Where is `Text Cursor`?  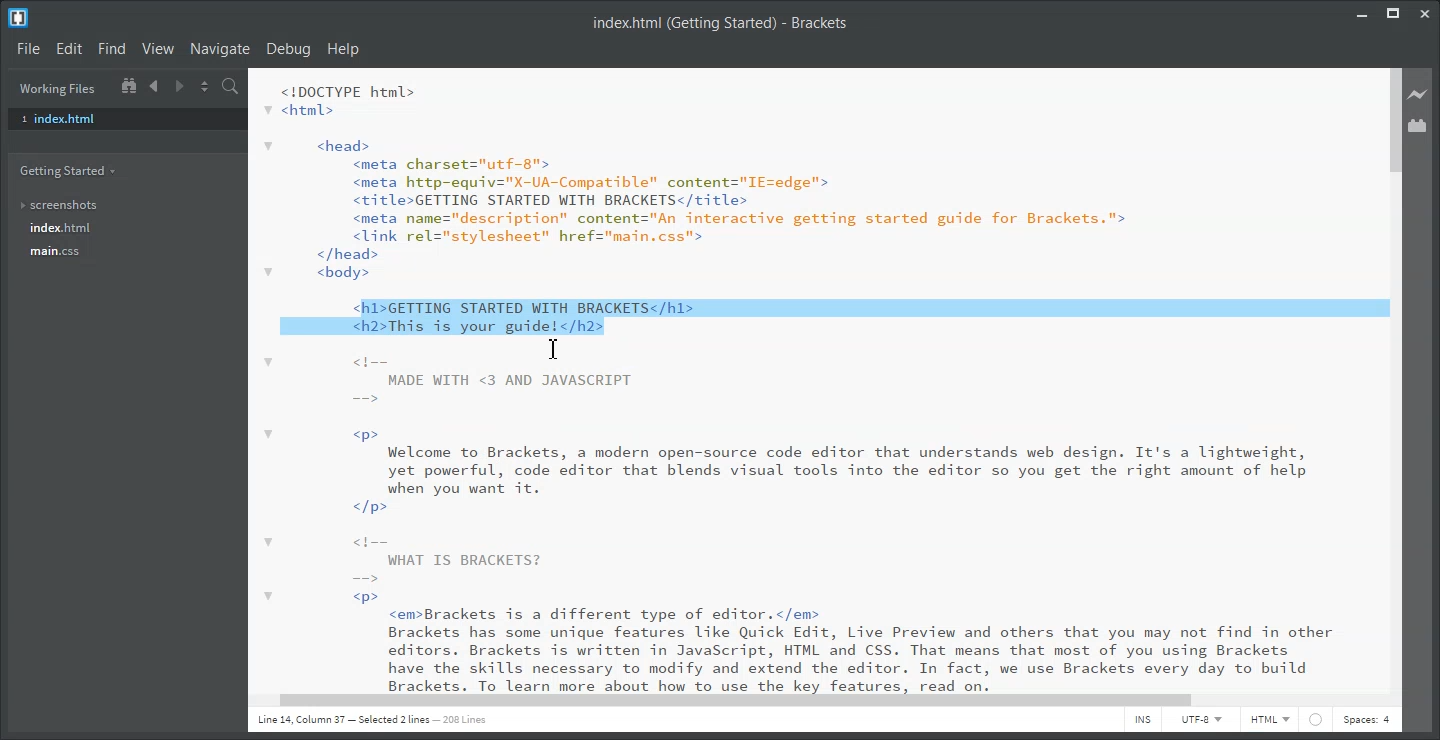
Text Cursor is located at coordinates (553, 349).